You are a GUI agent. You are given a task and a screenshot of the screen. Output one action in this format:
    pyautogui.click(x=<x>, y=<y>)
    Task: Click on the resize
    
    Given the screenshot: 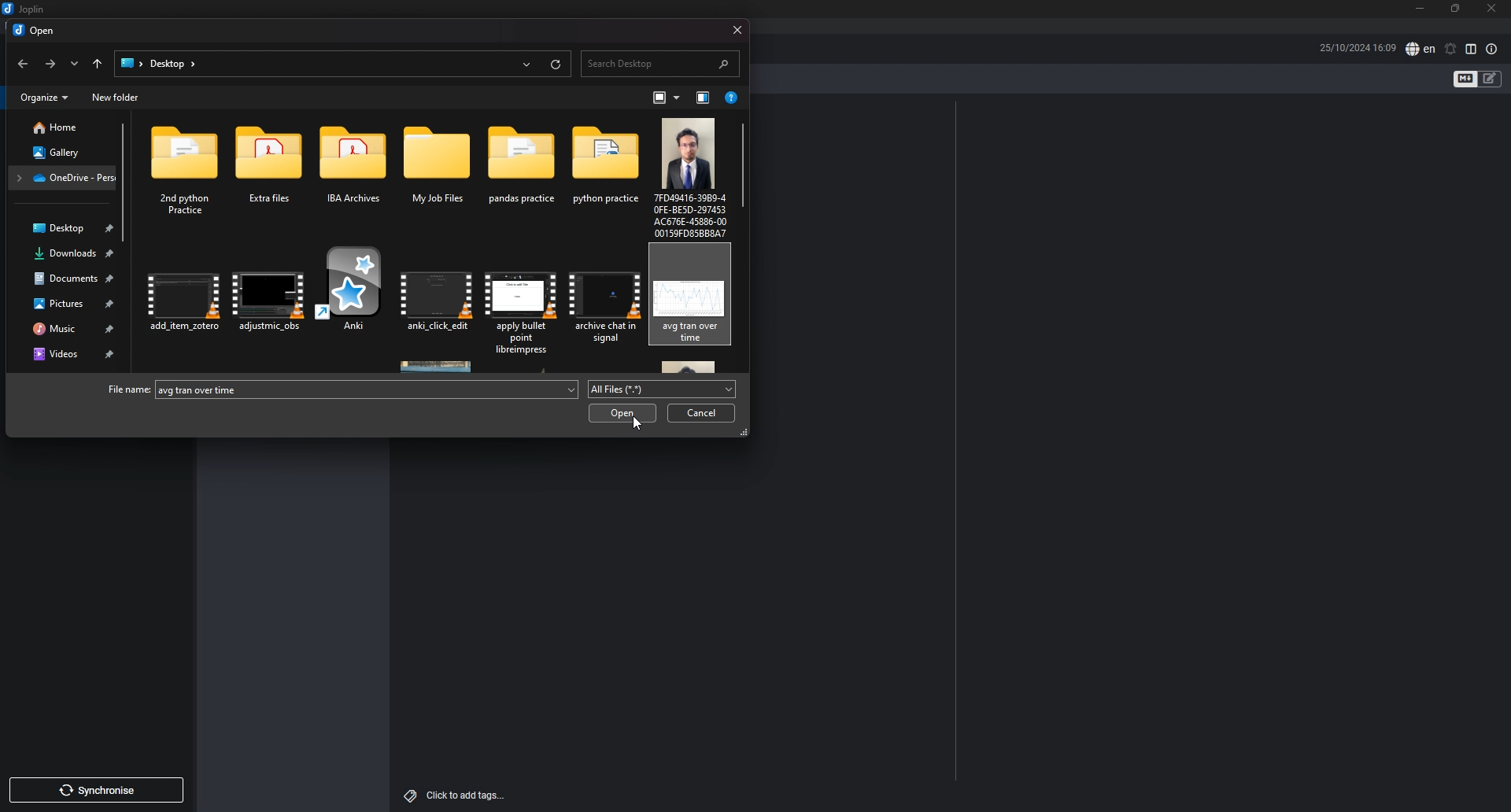 What is the action you would take?
    pyautogui.click(x=1456, y=9)
    